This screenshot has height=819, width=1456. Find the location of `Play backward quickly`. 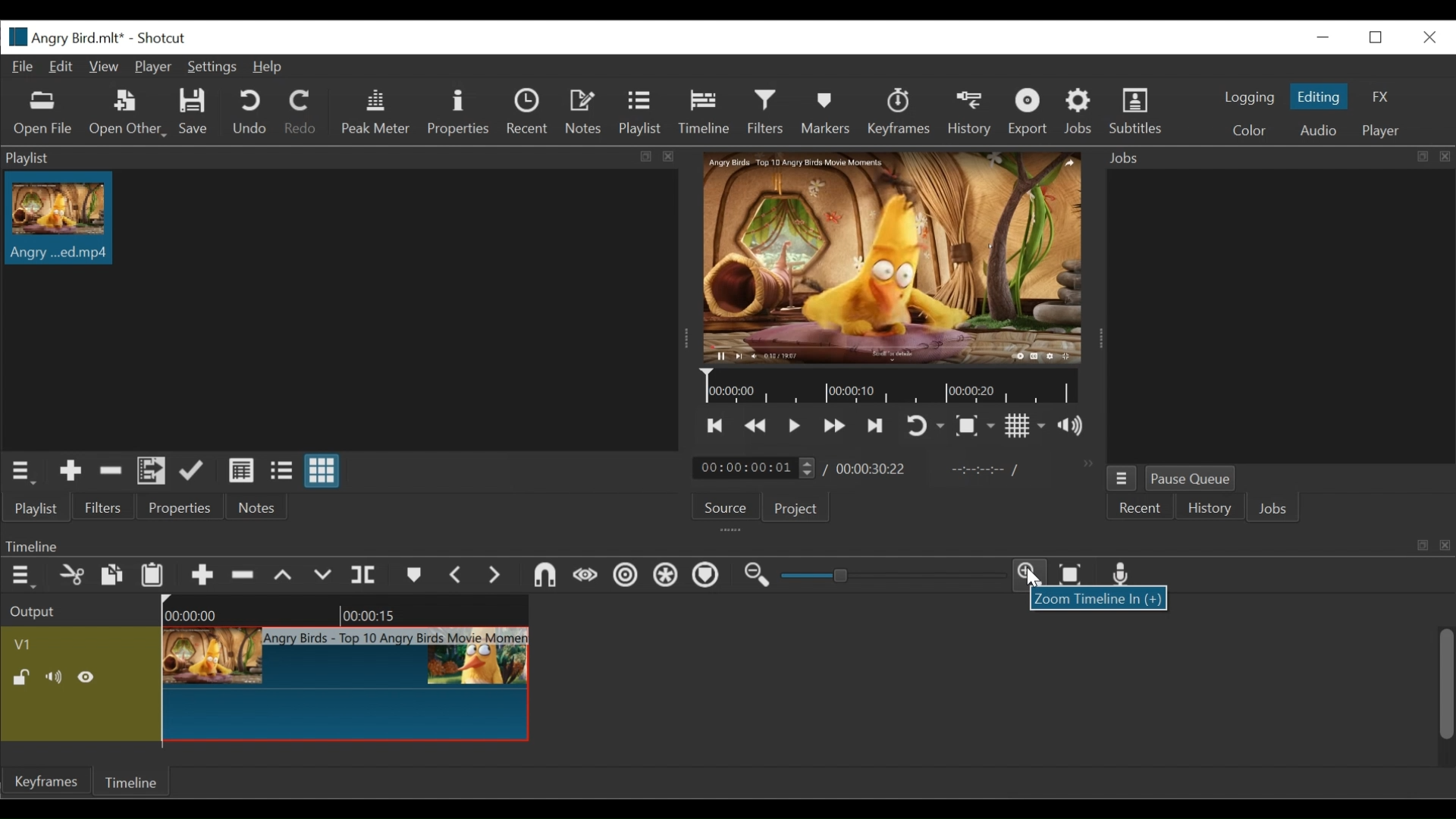

Play backward quickly is located at coordinates (834, 426).